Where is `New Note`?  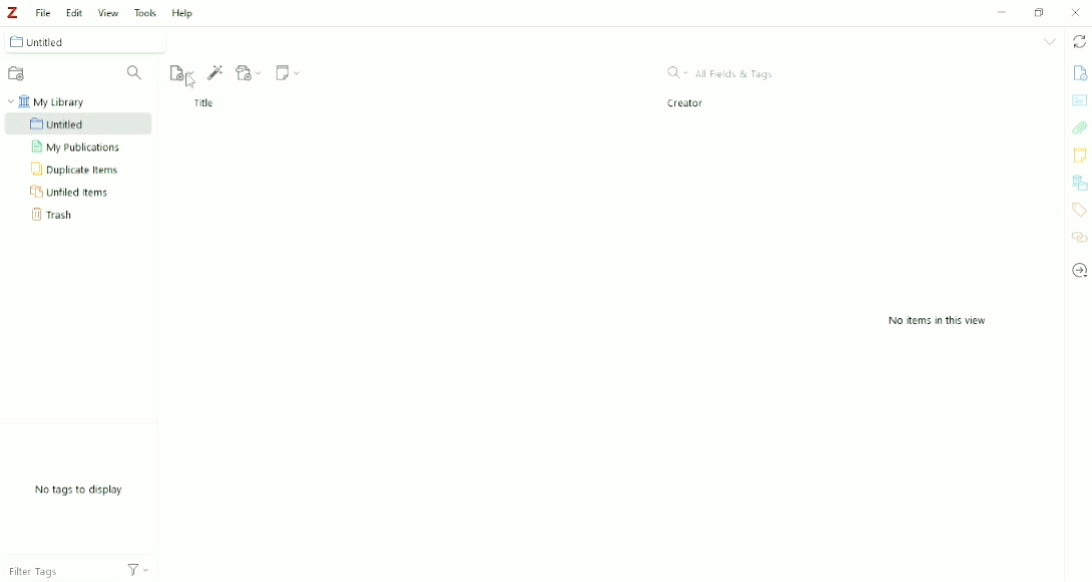
New Note is located at coordinates (289, 73).